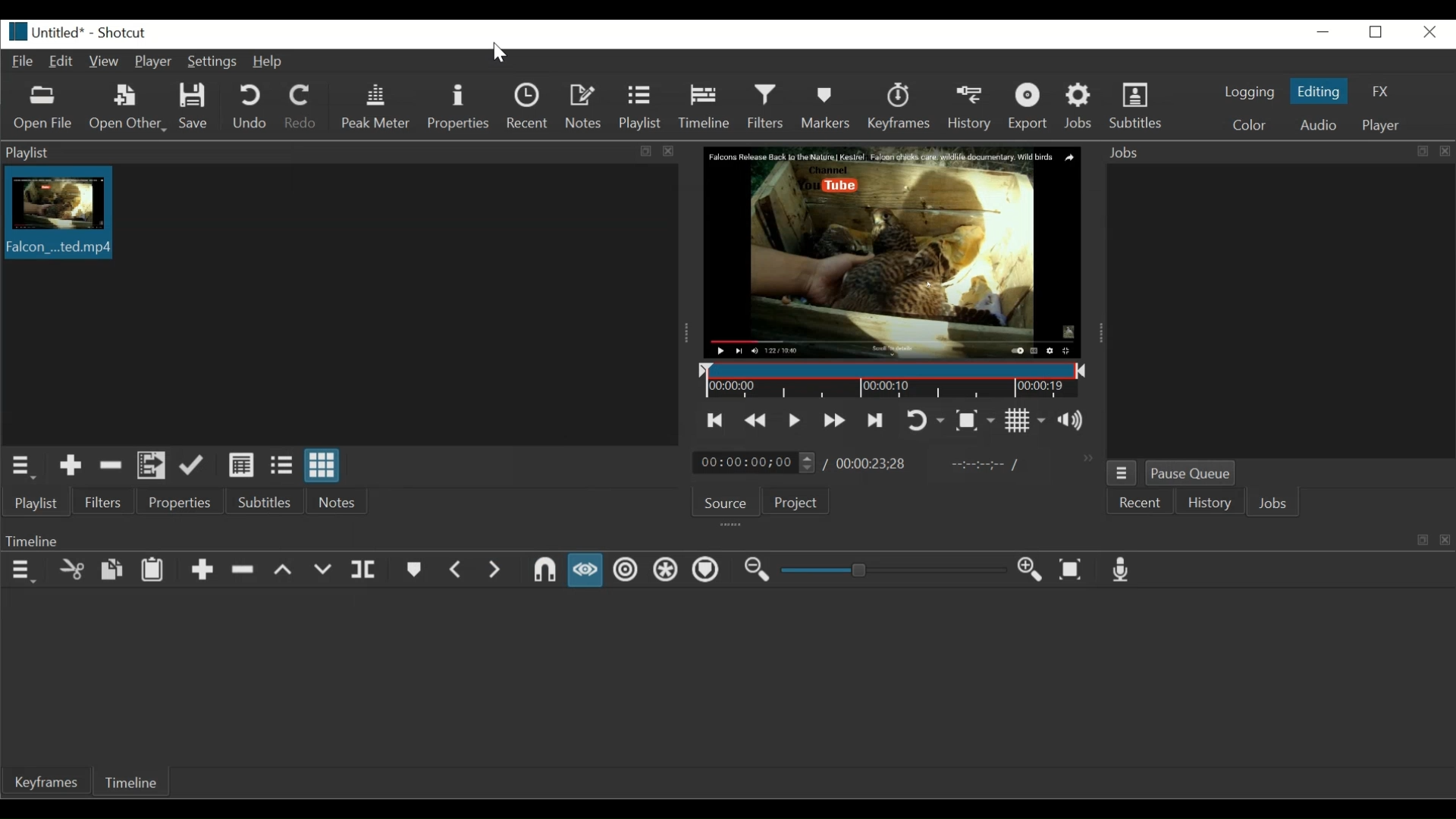  What do you see at coordinates (704, 107) in the screenshot?
I see `Timeline` at bounding box center [704, 107].